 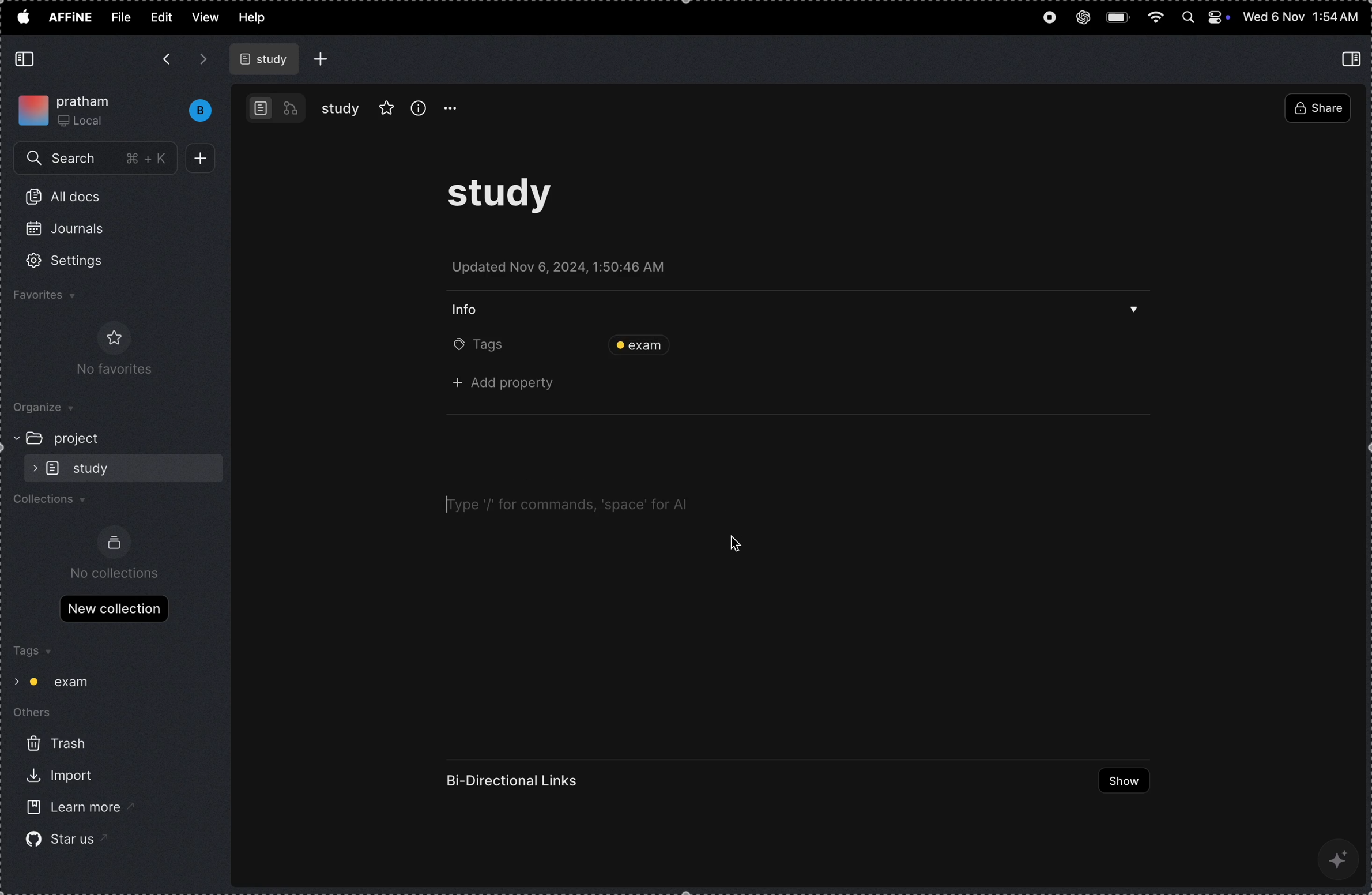 I want to click on wifi, so click(x=1156, y=18).